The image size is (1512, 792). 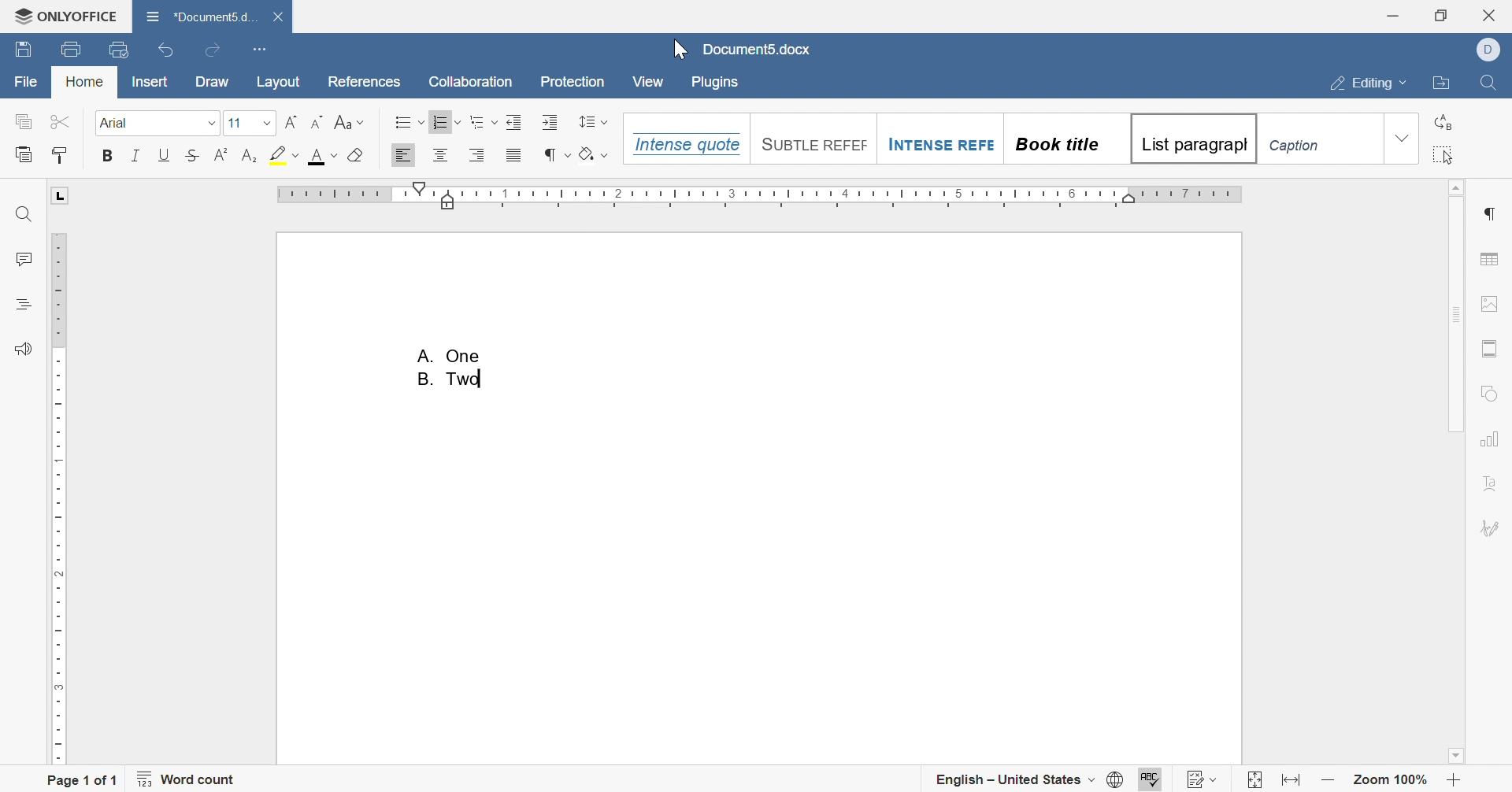 What do you see at coordinates (61, 122) in the screenshot?
I see `cut` at bounding box center [61, 122].